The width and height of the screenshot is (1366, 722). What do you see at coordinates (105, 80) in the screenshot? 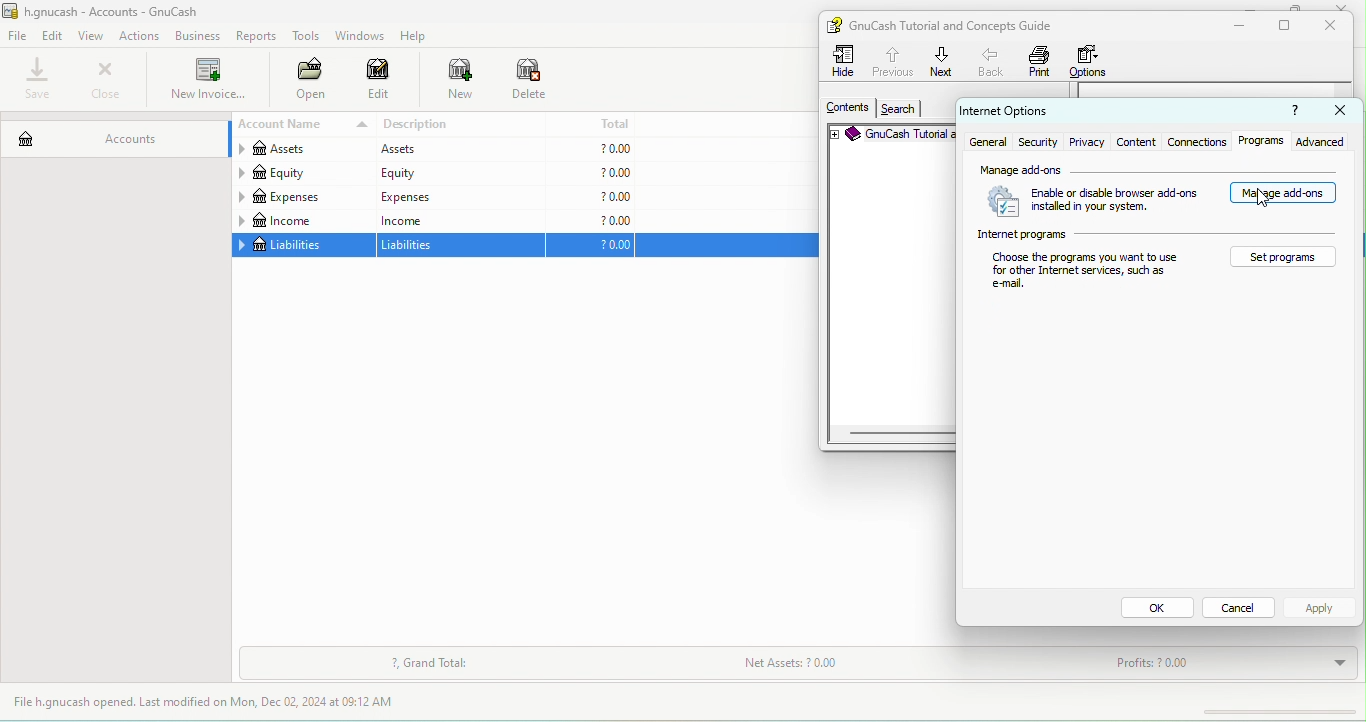
I see `close` at bounding box center [105, 80].